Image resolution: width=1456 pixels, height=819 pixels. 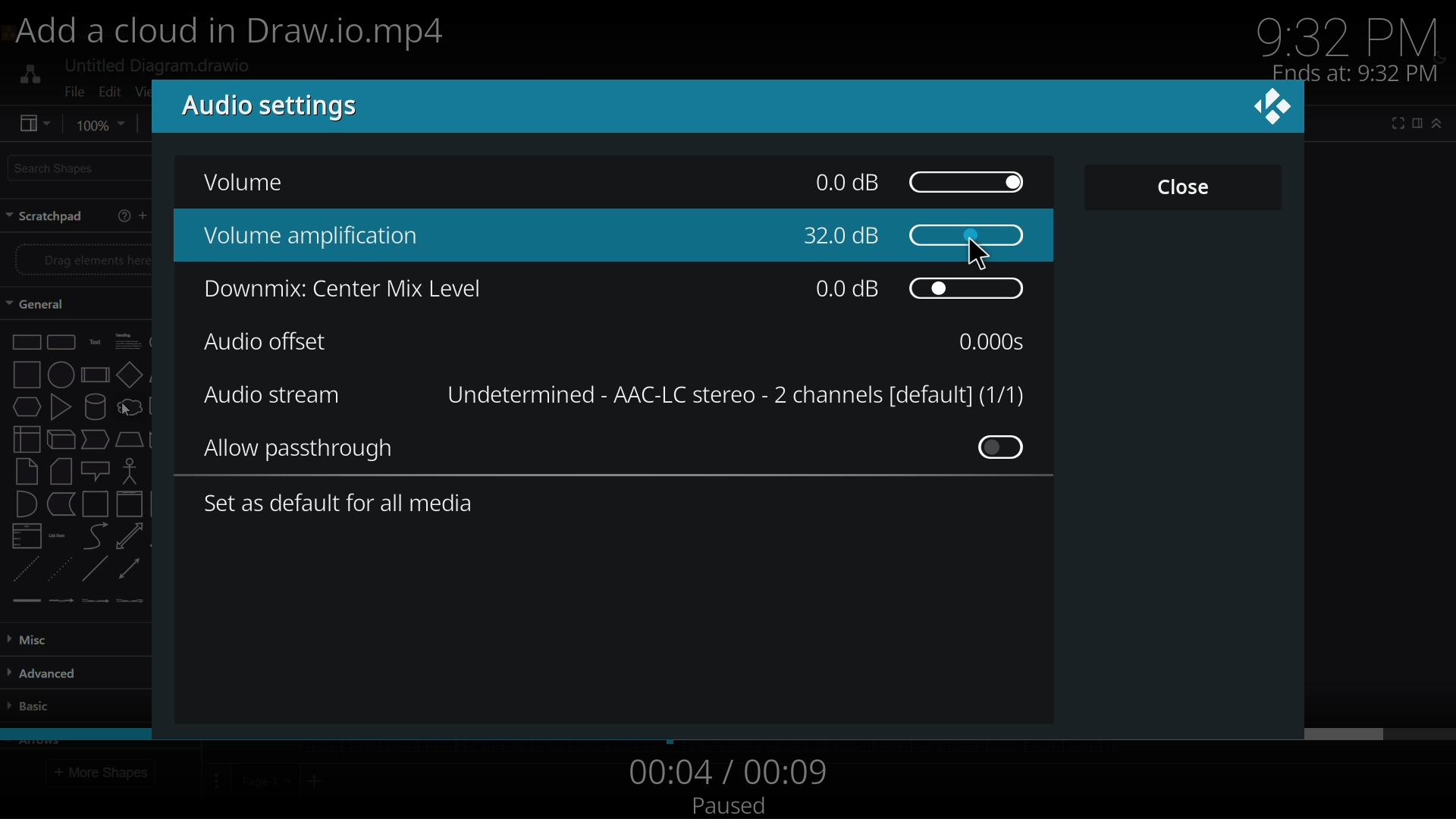 What do you see at coordinates (254, 107) in the screenshot?
I see `audio setting` at bounding box center [254, 107].